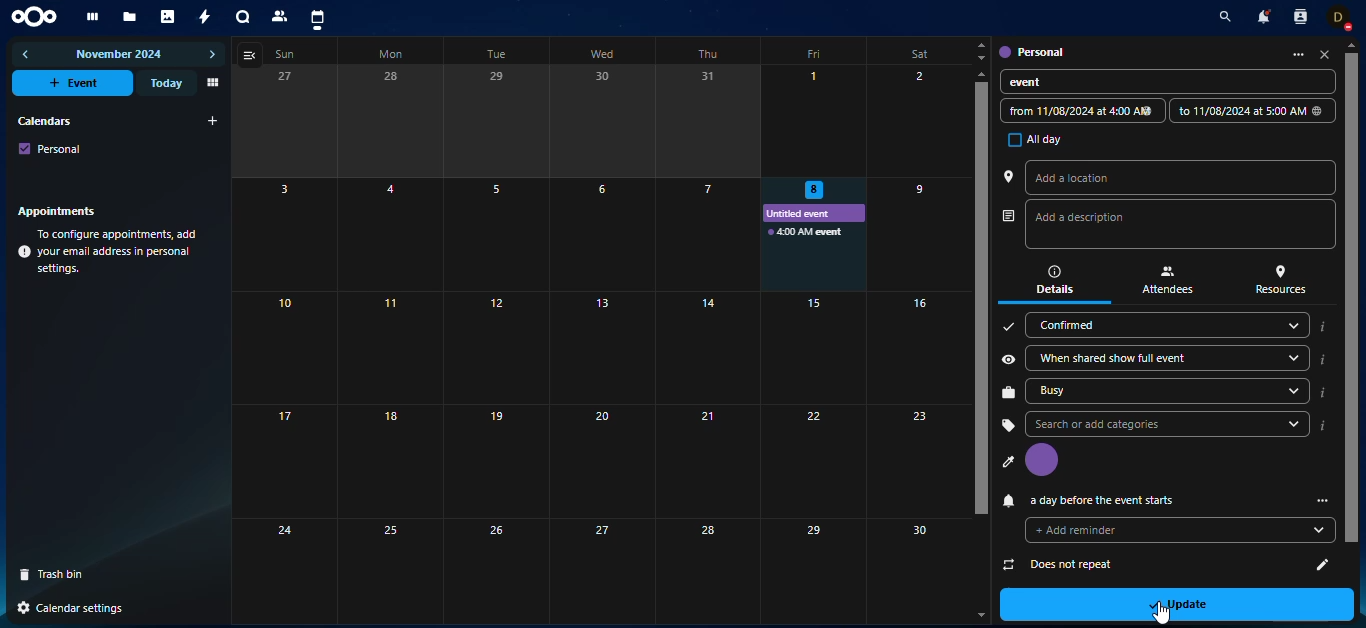  I want to click on add, so click(213, 121).